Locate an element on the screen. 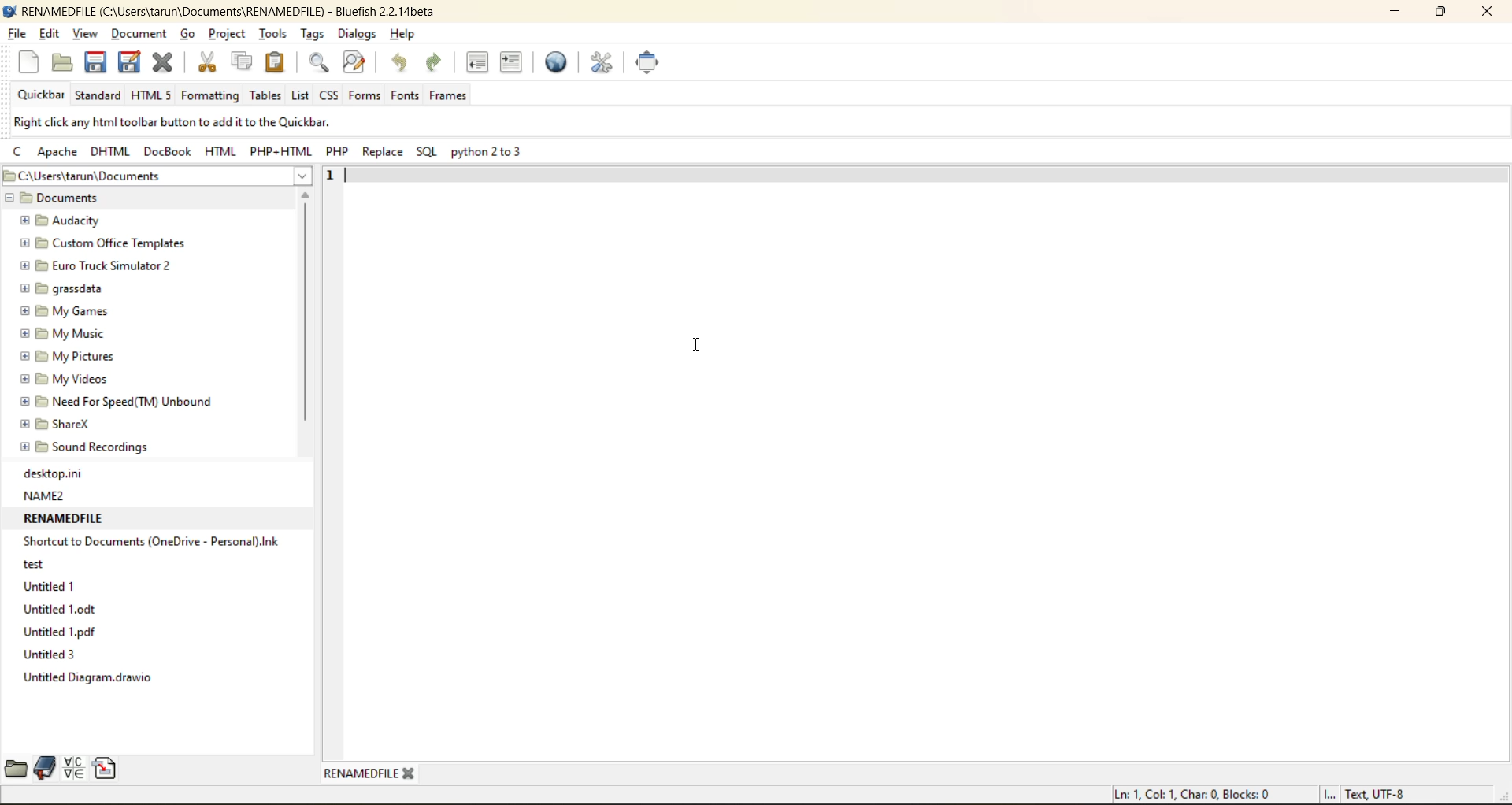 This screenshot has width=1512, height=805. Audacity is located at coordinates (63, 220).